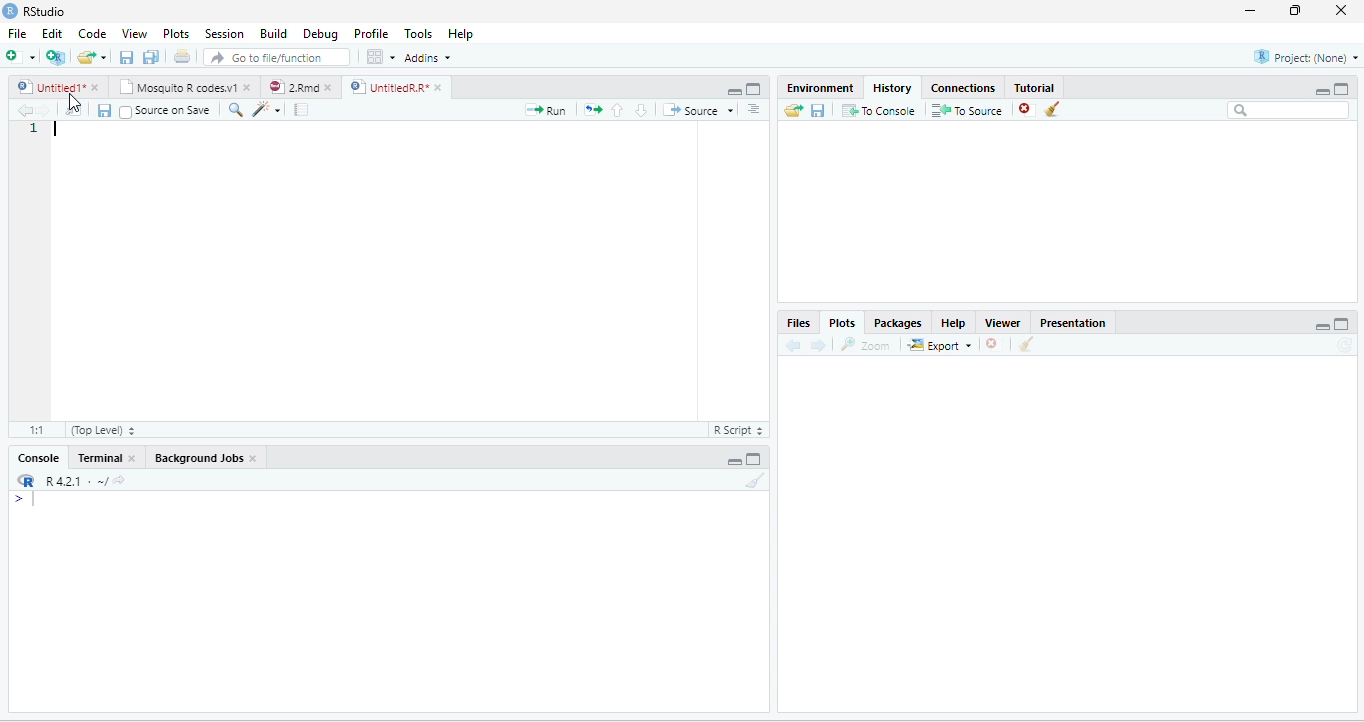 This screenshot has width=1364, height=722. What do you see at coordinates (134, 33) in the screenshot?
I see `View` at bounding box center [134, 33].